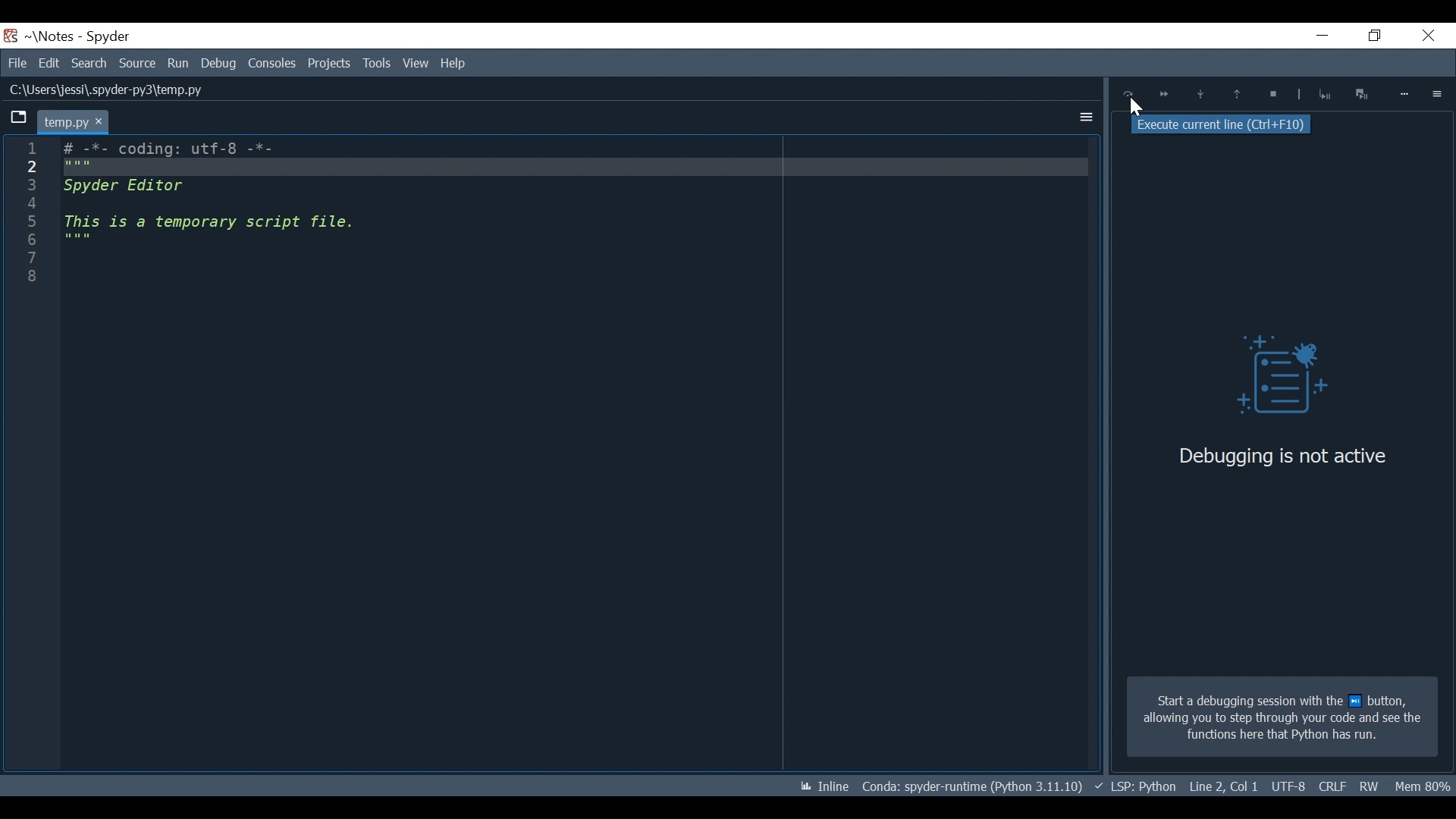 The height and width of the screenshot is (819, 1456). Describe the element at coordinates (971, 786) in the screenshot. I see `Conda Environment Indicator` at that location.